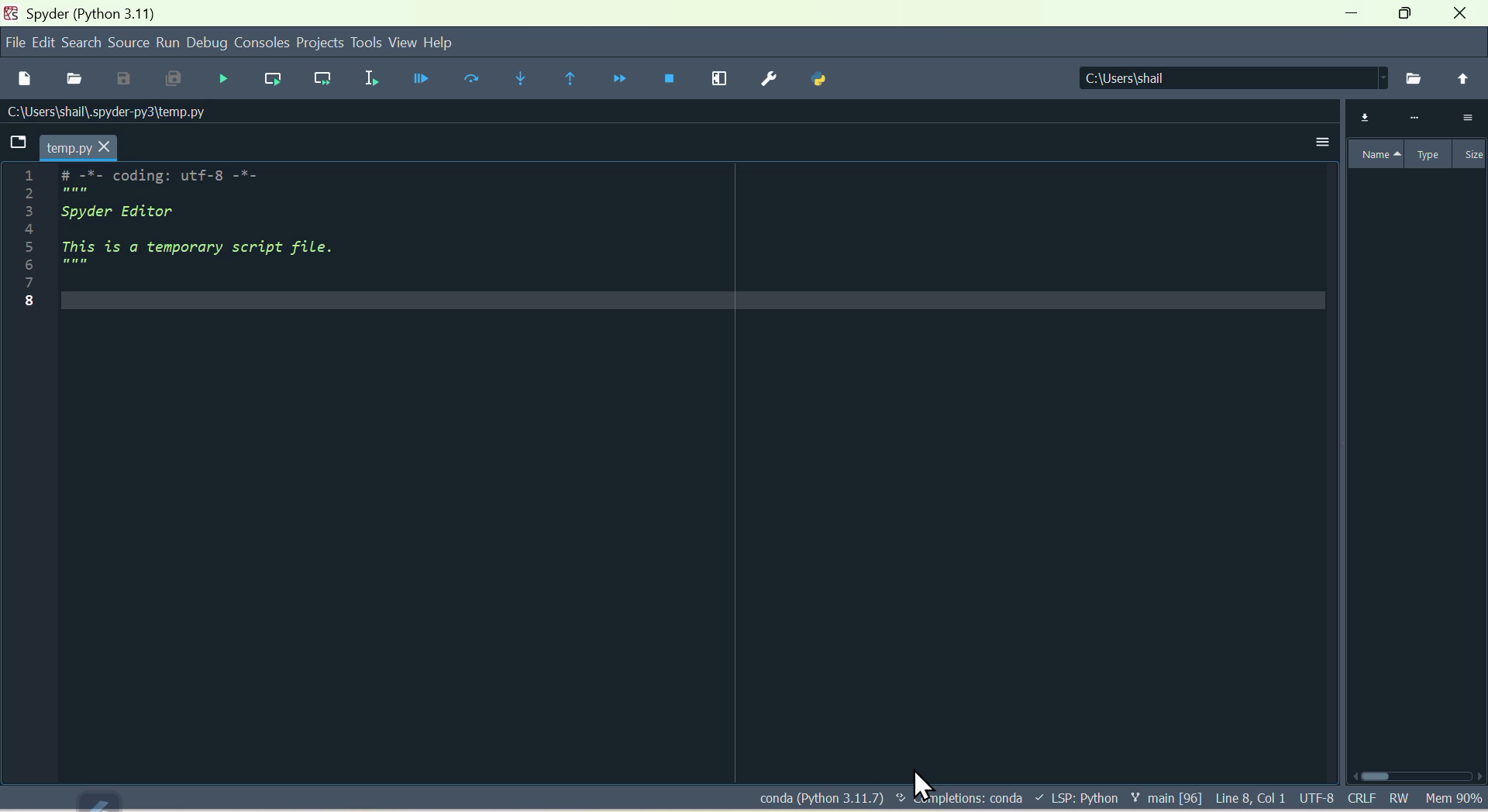 This screenshot has width=1488, height=812. I want to click on Run current line, so click(268, 75).